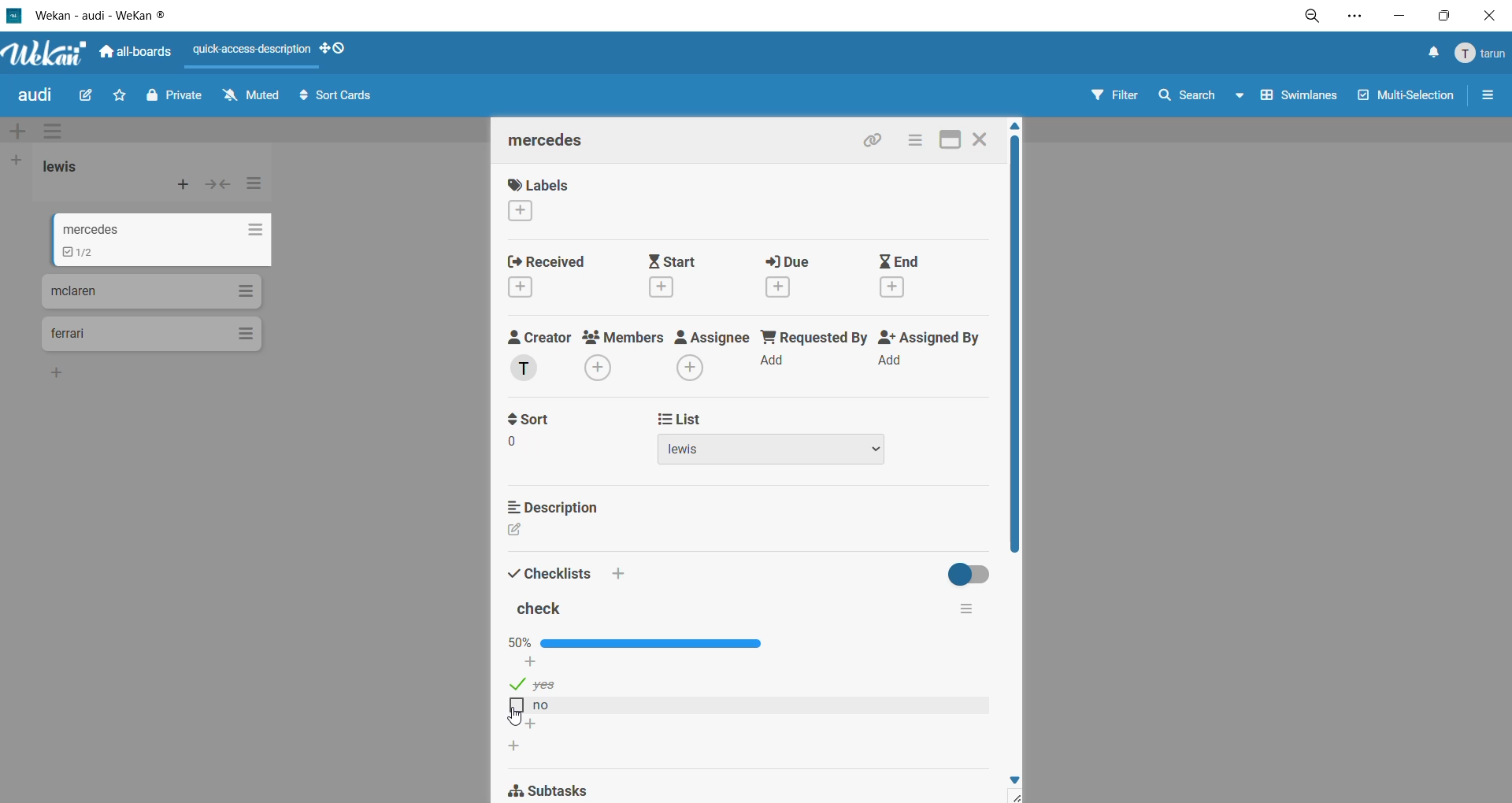 This screenshot has height=803, width=1512. What do you see at coordinates (558, 509) in the screenshot?
I see `description` at bounding box center [558, 509].